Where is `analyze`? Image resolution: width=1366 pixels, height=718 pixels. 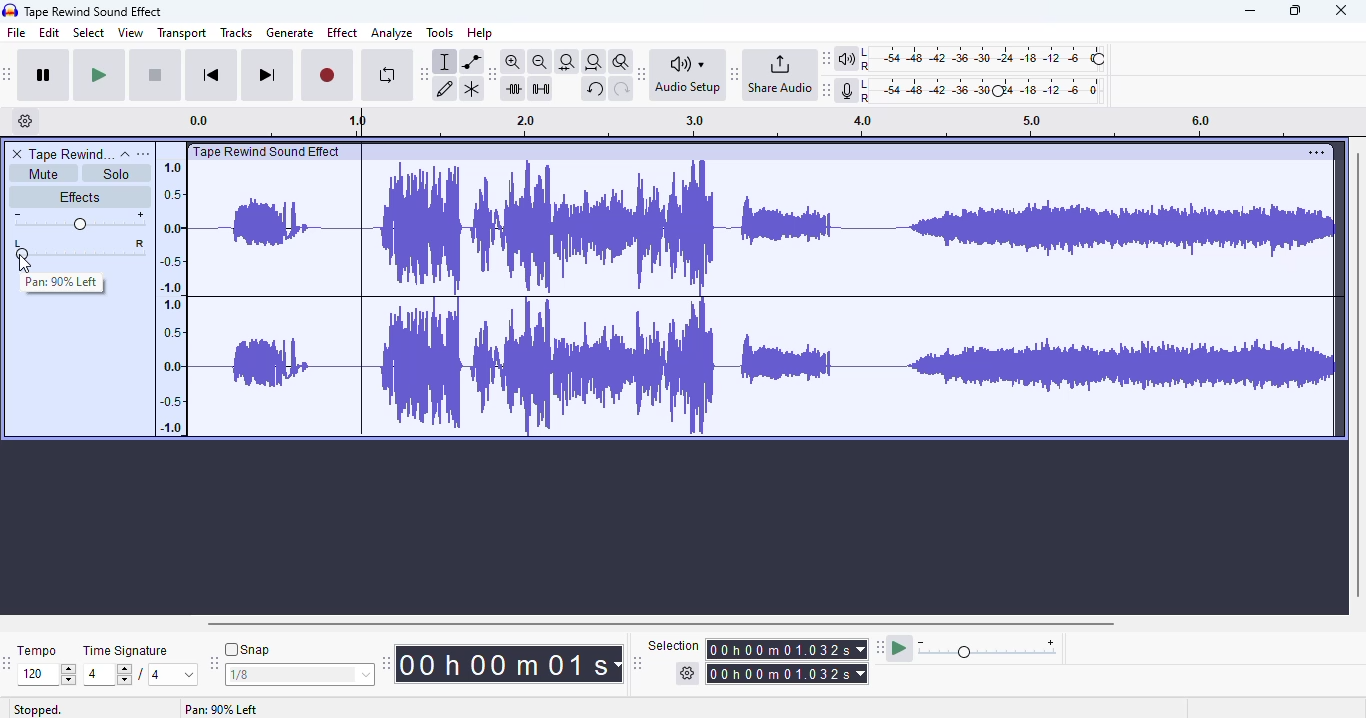 analyze is located at coordinates (392, 33).